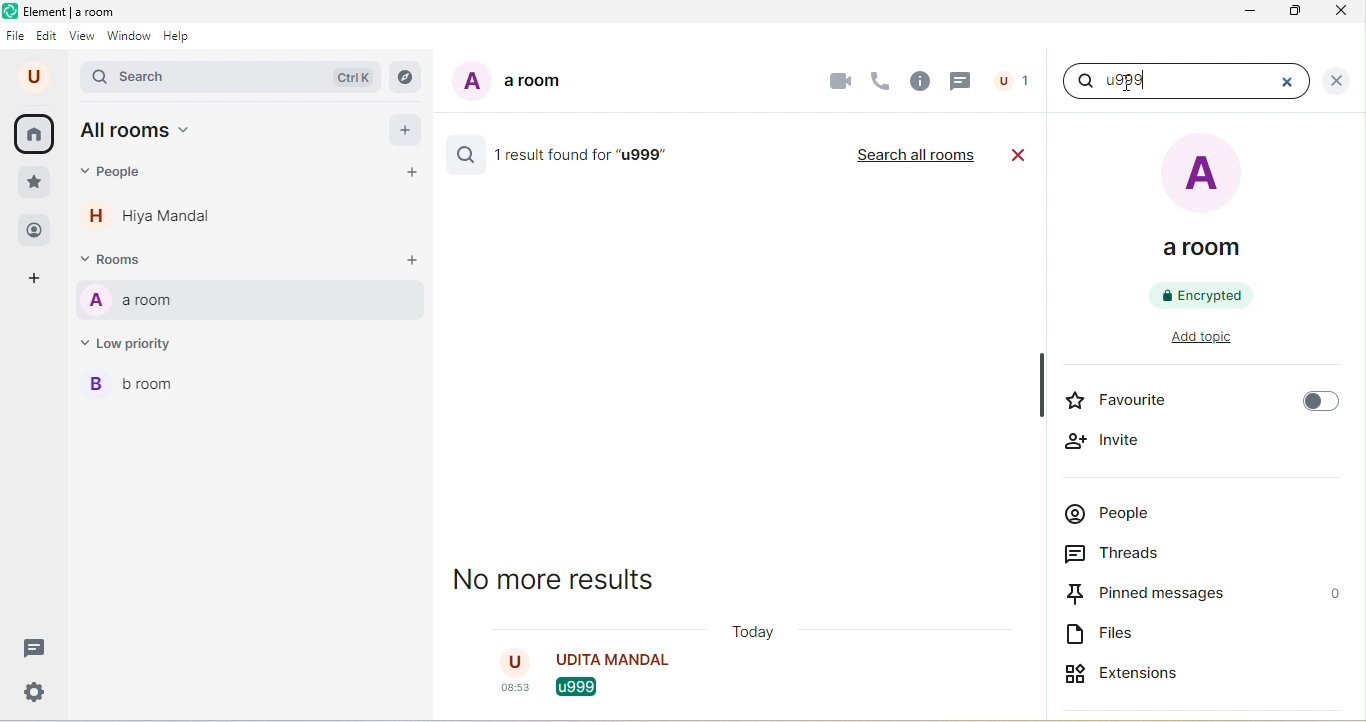 The height and width of the screenshot is (722, 1366). Describe the element at coordinates (1125, 86) in the screenshot. I see `cursor movement` at that location.